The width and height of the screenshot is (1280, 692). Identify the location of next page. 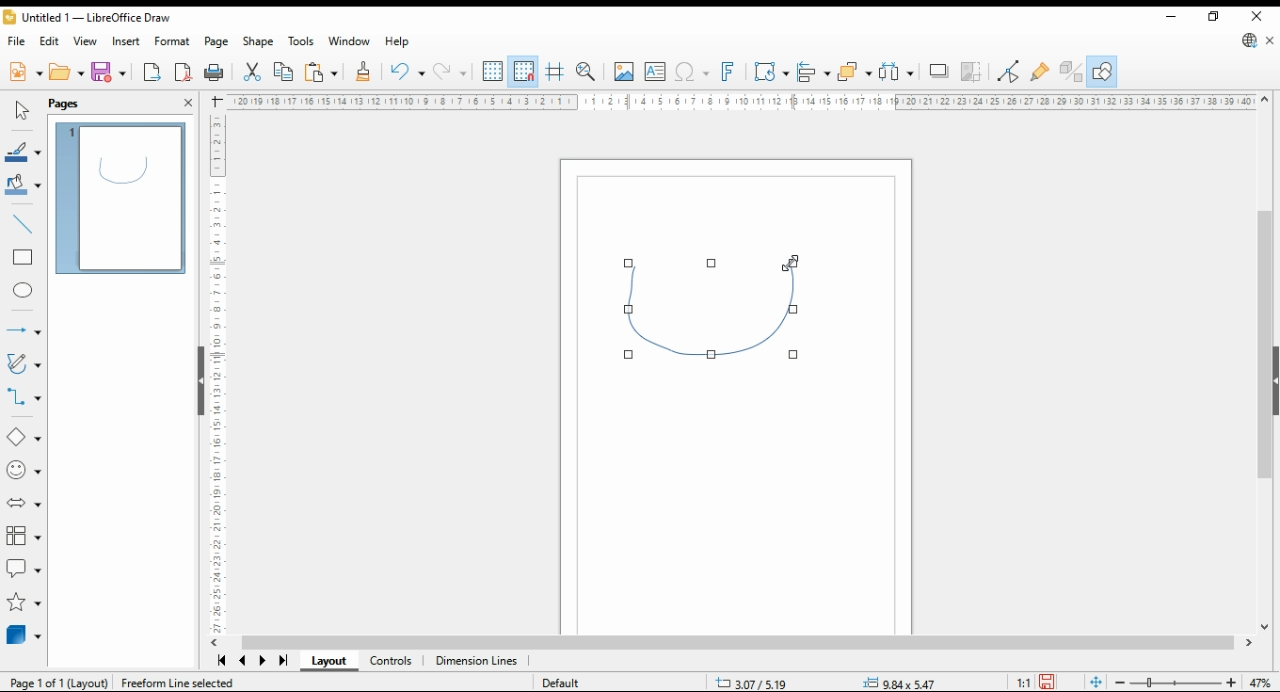
(262, 661).